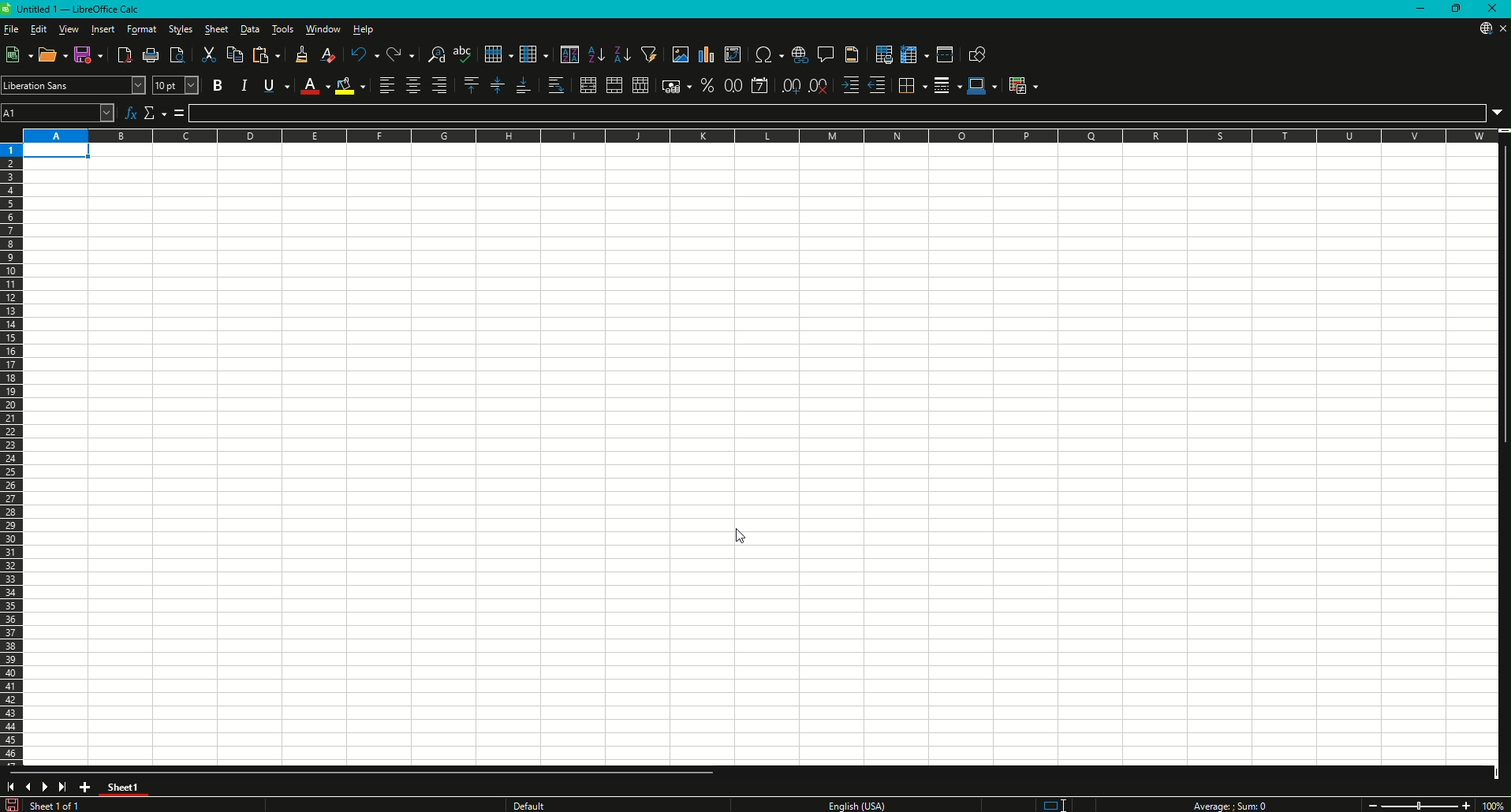  What do you see at coordinates (597, 54) in the screenshot?
I see `Sort Ascending` at bounding box center [597, 54].